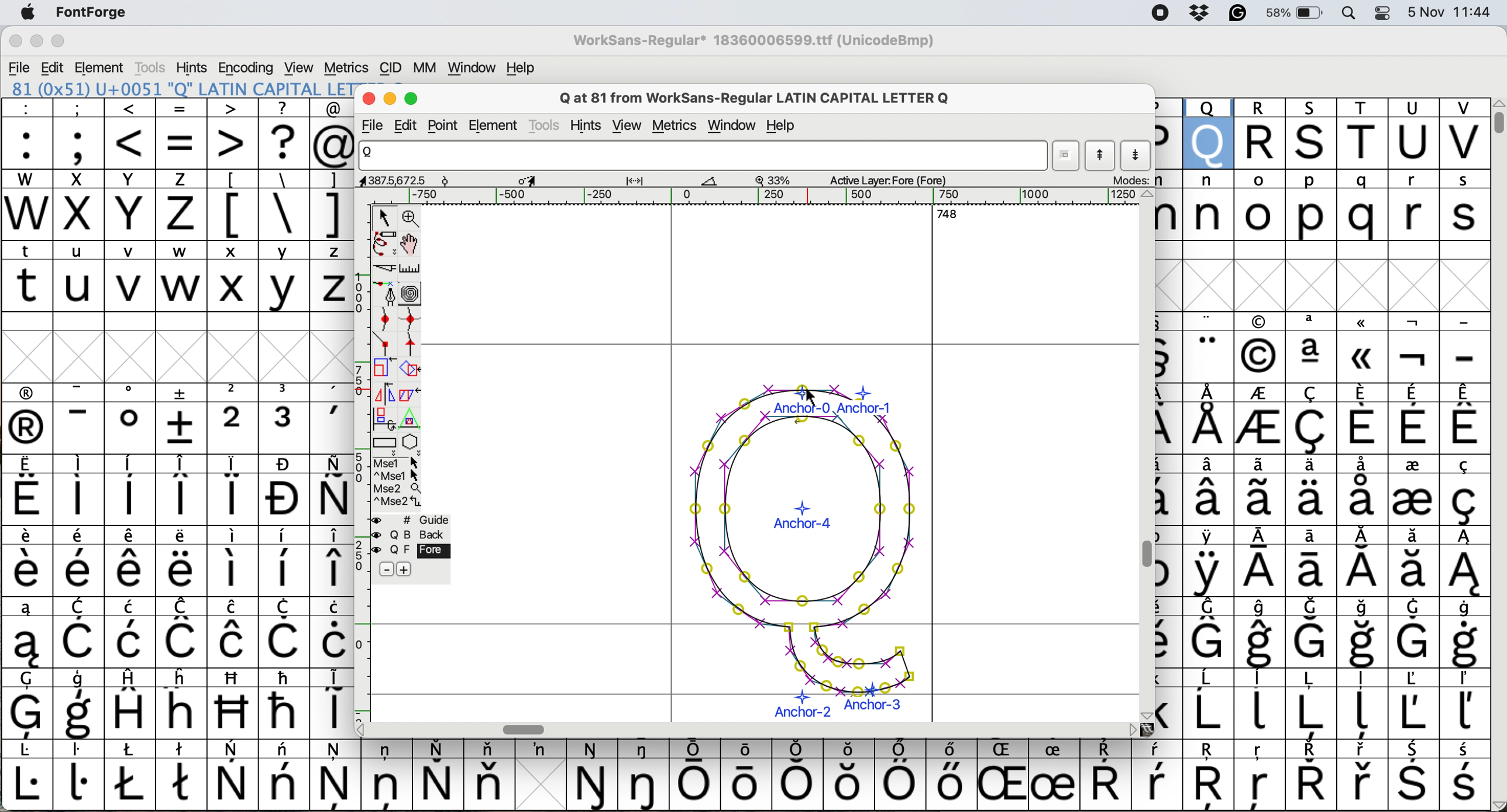 Image resolution: width=1507 pixels, height=812 pixels. What do you see at coordinates (1134, 181) in the screenshot?
I see `modes` at bounding box center [1134, 181].